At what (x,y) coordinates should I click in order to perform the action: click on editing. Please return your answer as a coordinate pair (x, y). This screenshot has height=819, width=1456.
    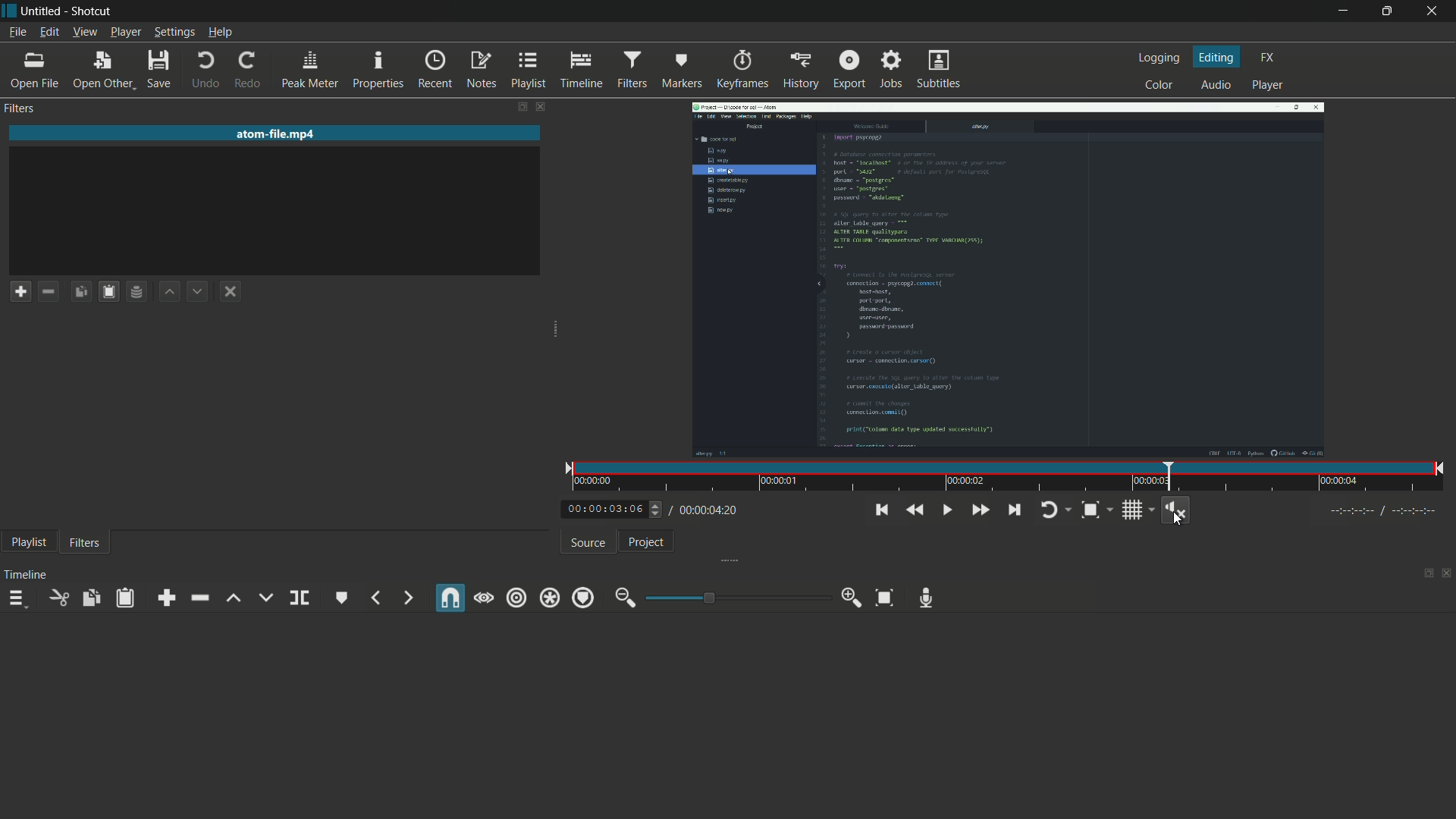
    Looking at the image, I should click on (1218, 57).